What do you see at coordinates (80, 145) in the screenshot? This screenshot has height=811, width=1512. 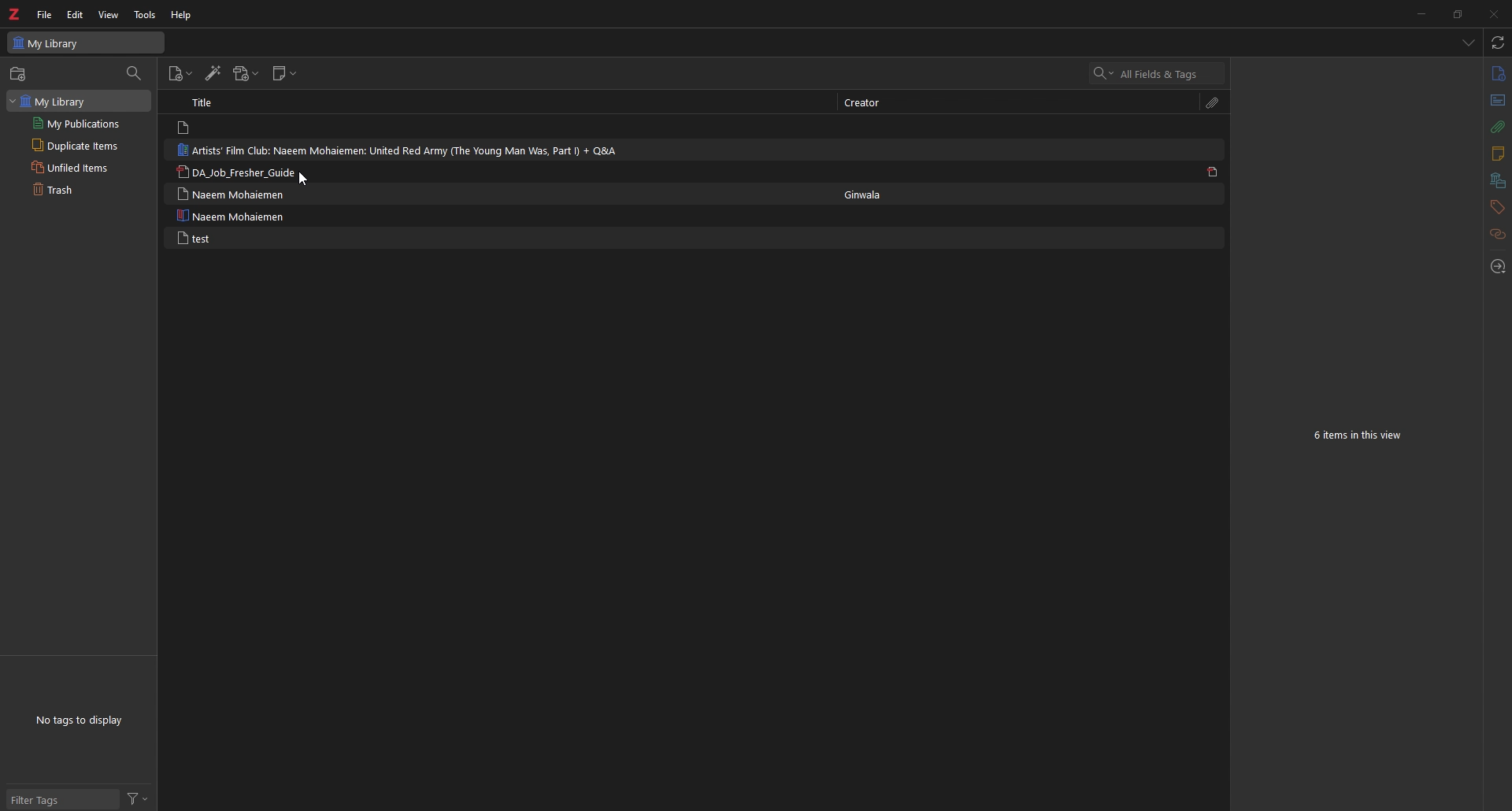 I see `duplicate items` at bounding box center [80, 145].